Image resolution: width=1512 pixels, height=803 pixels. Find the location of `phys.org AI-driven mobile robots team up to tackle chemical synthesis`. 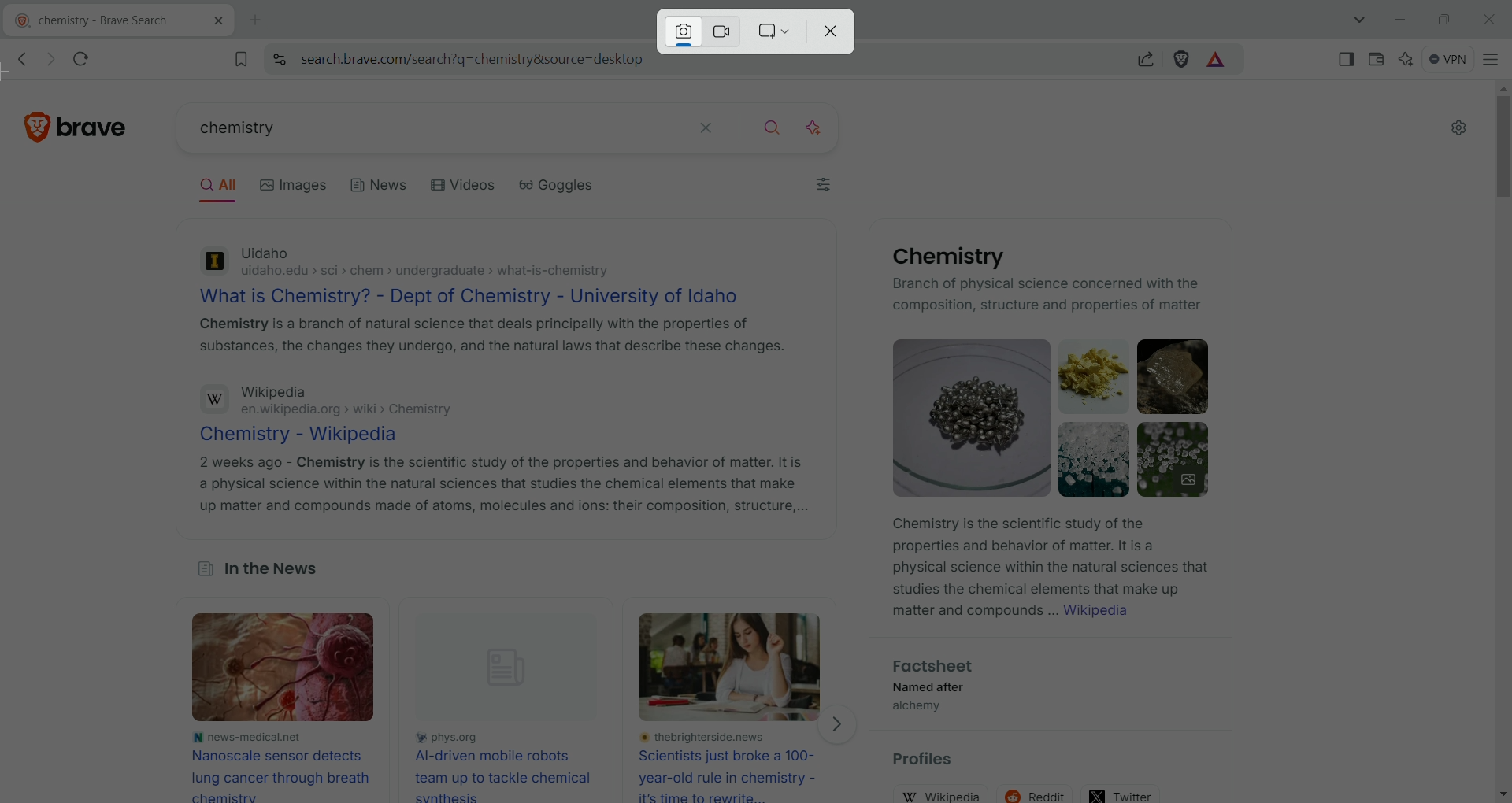

phys.org AI-driven mobile robots team up to tackle chemical synthesis is located at coordinates (506, 765).